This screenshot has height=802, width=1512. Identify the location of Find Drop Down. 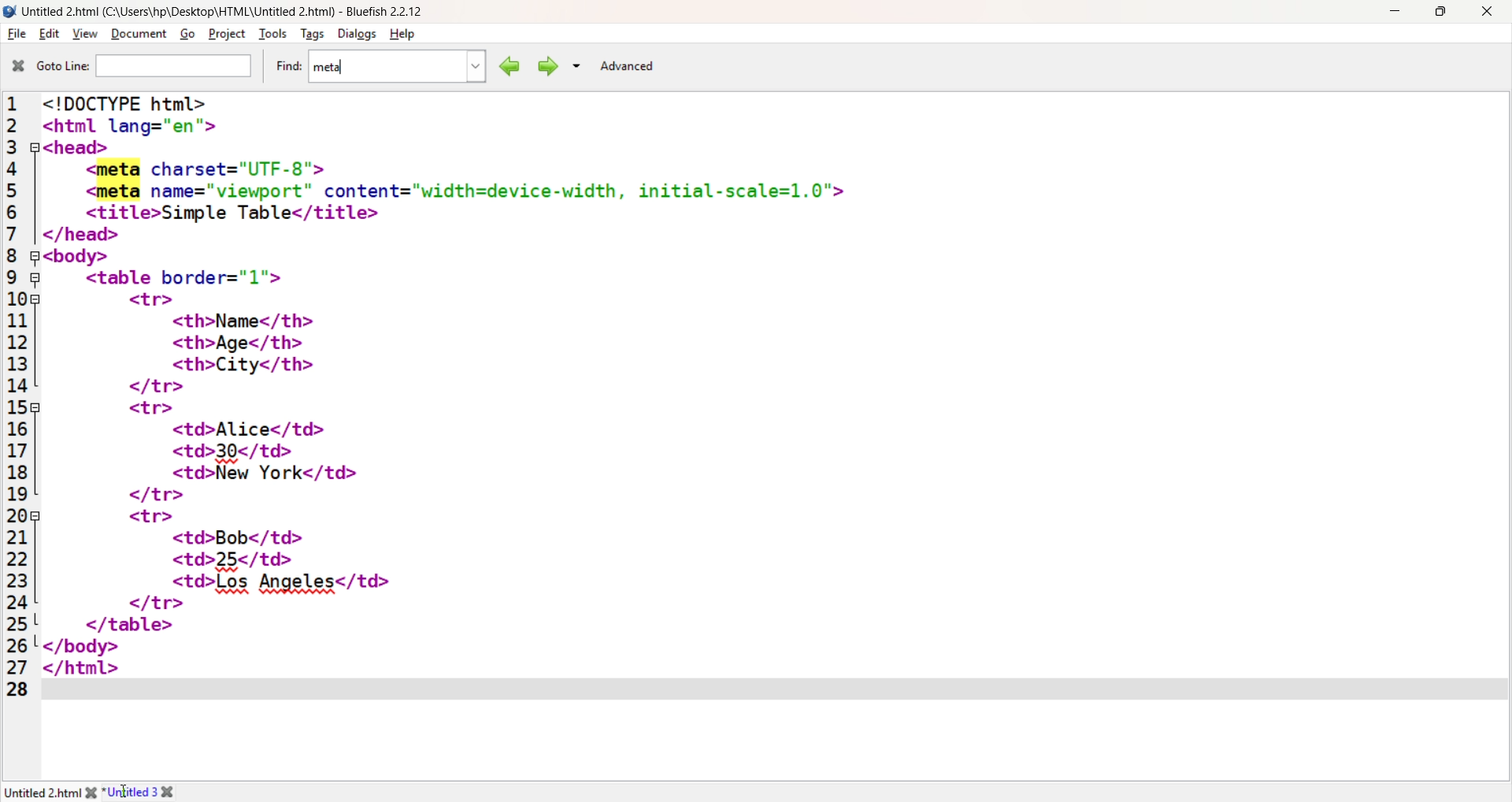
(472, 67).